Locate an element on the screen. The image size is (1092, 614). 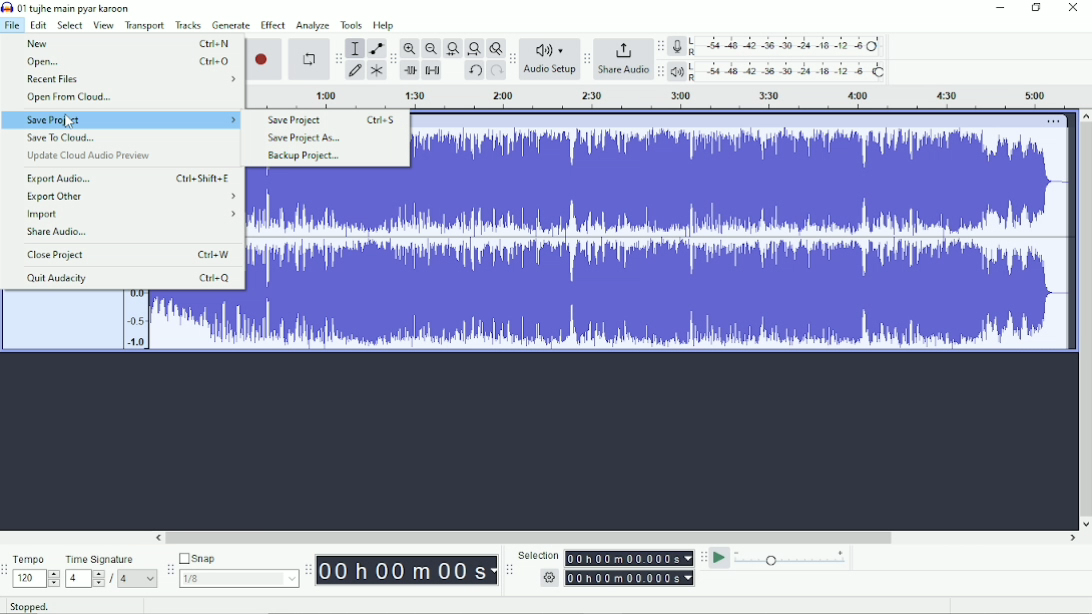
Stopped is located at coordinates (35, 607).